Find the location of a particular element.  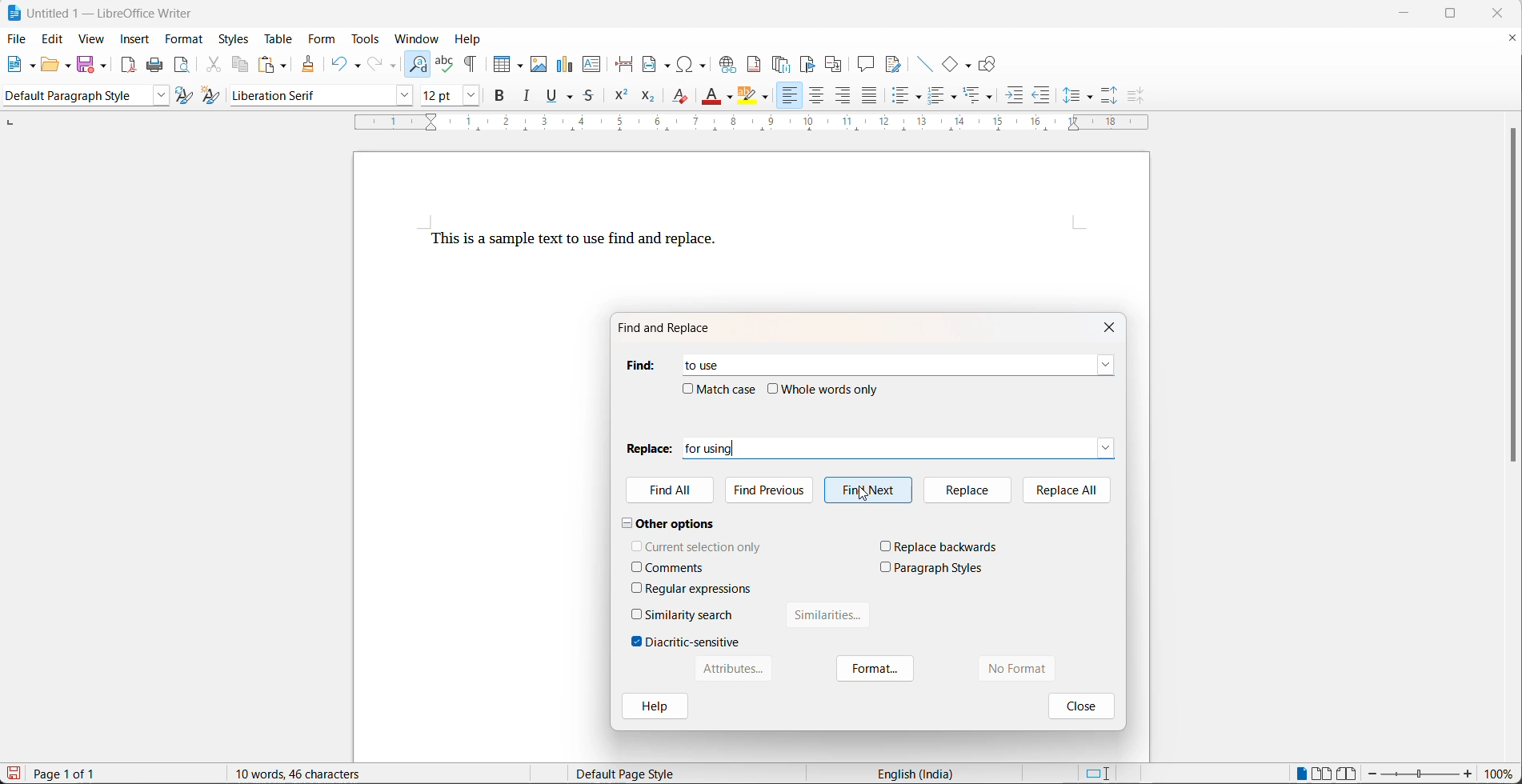

font color is located at coordinates (712, 95).